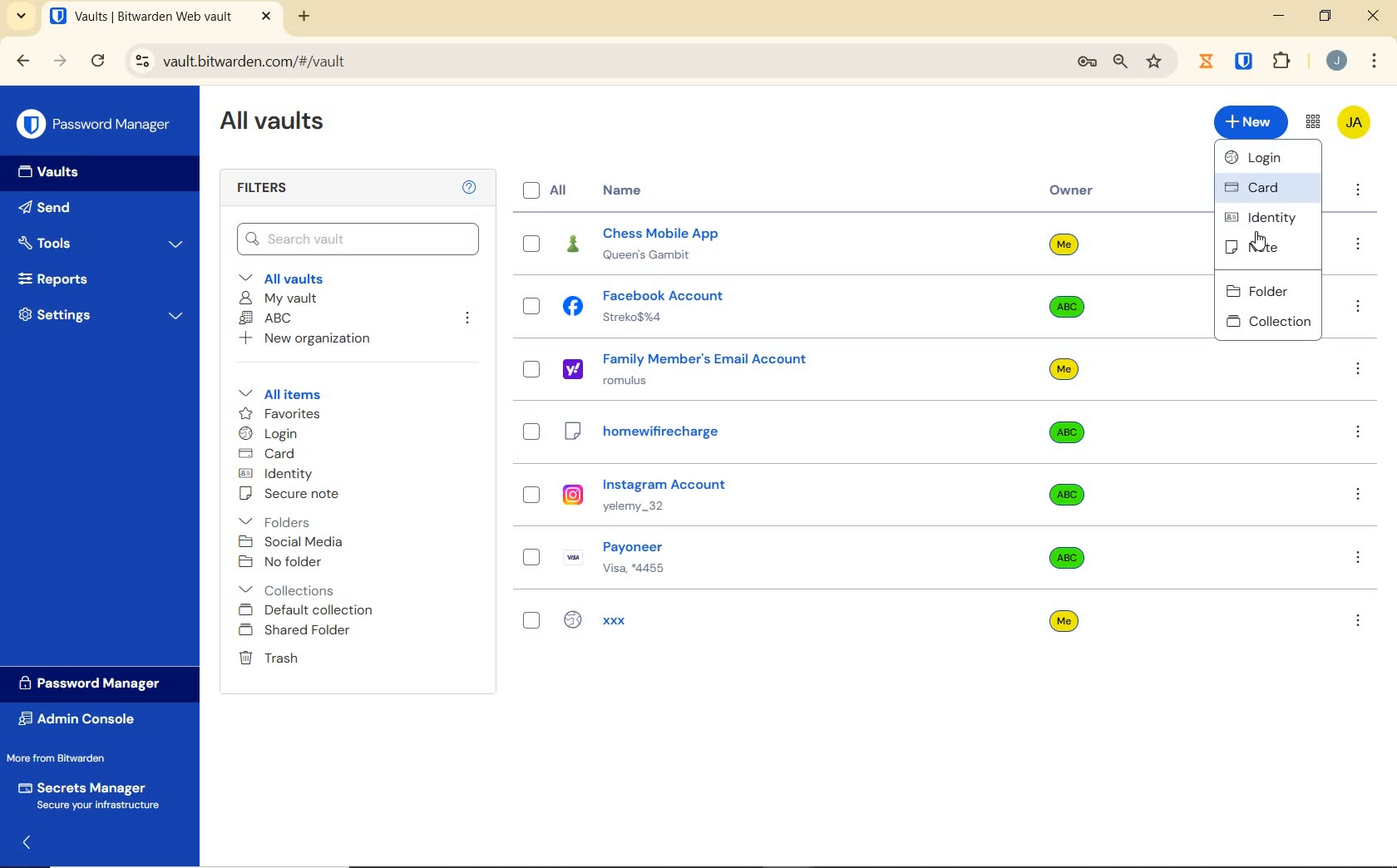  What do you see at coordinates (1357, 308) in the screenshot?
I see `more options` at bounding box center [1357, 308].